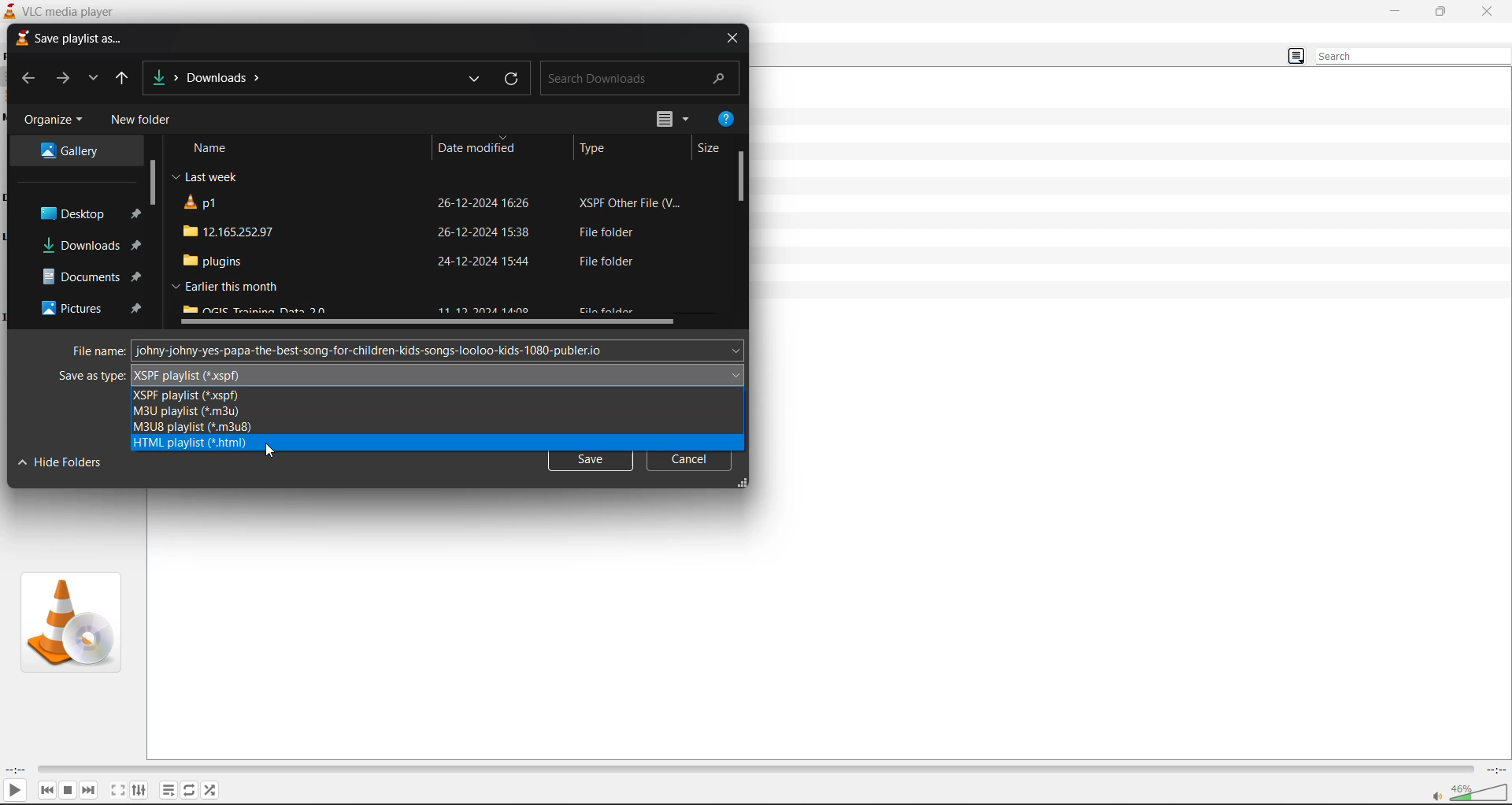 Image resolution: width=1512 pixels, height=805 pixels. I want to click on previous, so click(24, 80).